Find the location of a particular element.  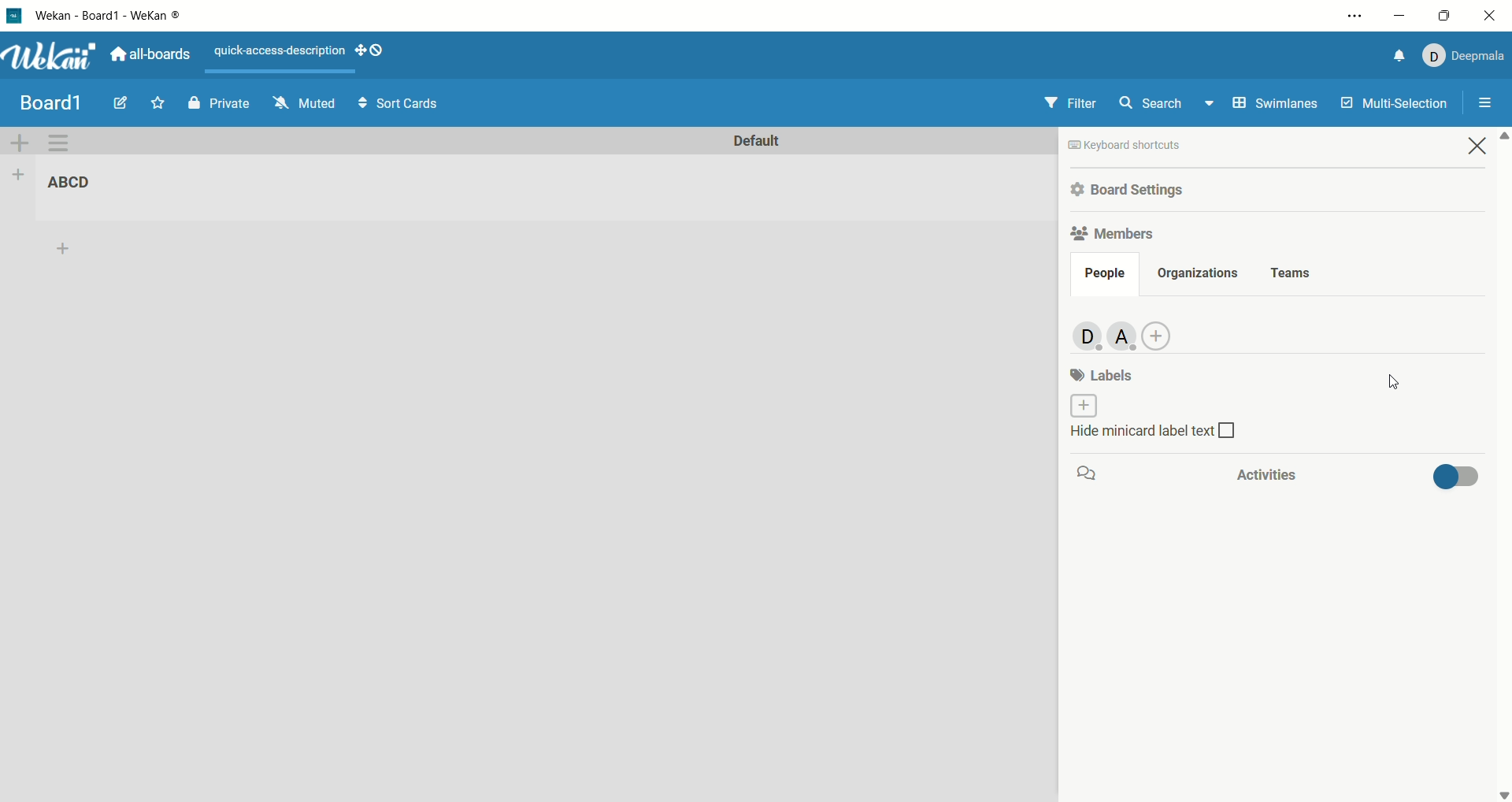

comment is located at coordinates (1091, 476).